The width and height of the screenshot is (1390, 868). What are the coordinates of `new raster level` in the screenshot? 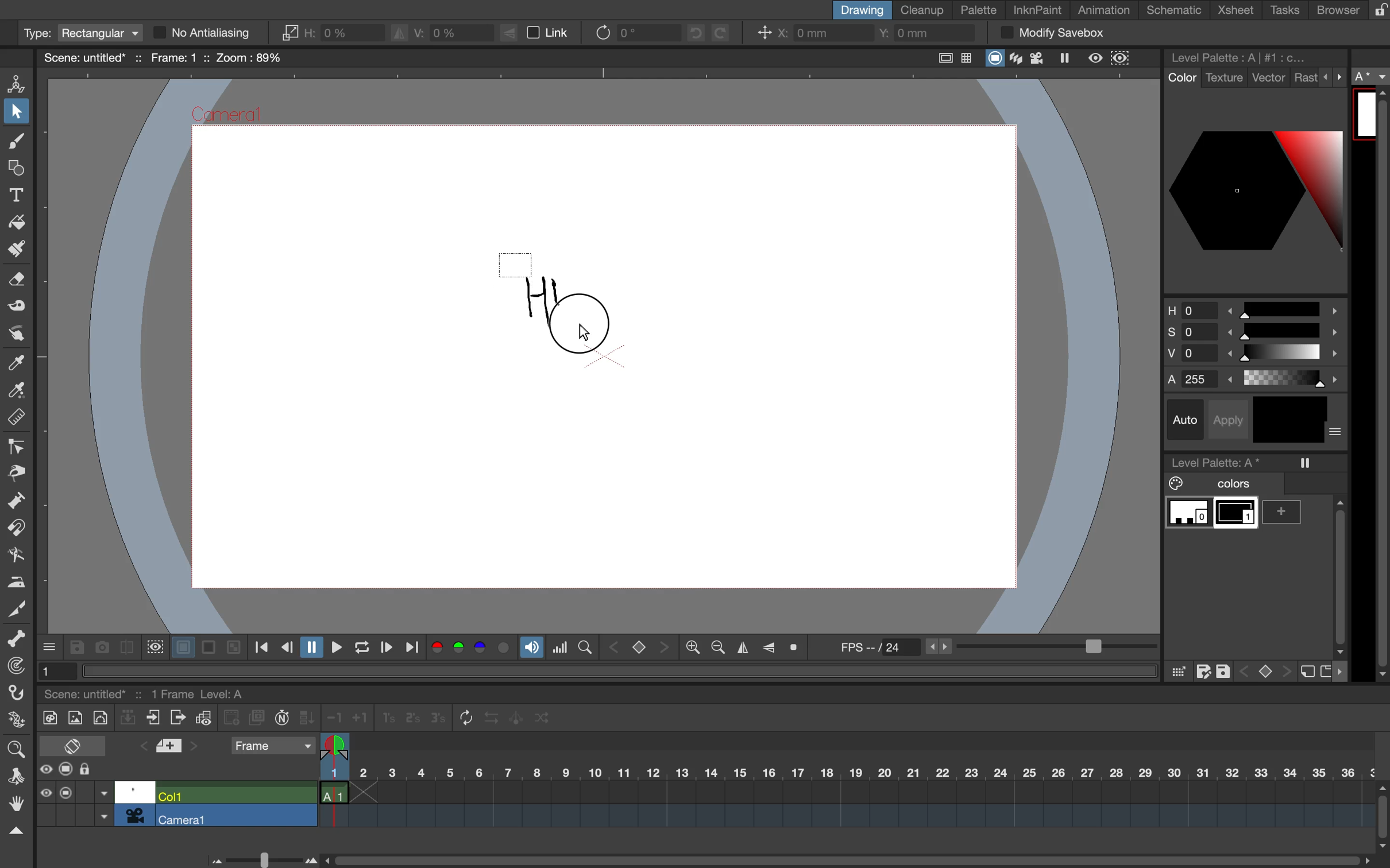 It's located at (74, 719).